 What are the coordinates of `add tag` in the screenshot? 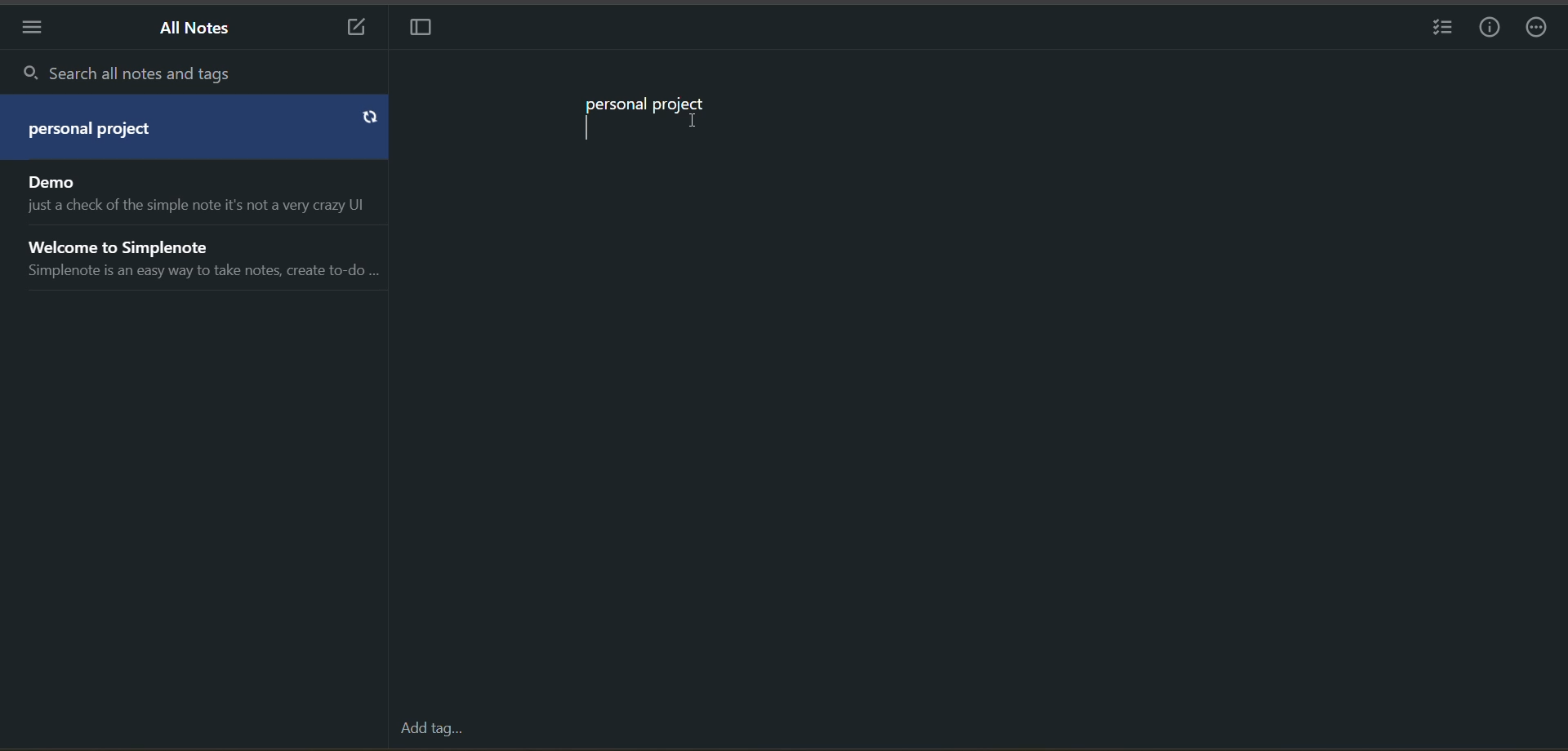 It's located at (431, 728).